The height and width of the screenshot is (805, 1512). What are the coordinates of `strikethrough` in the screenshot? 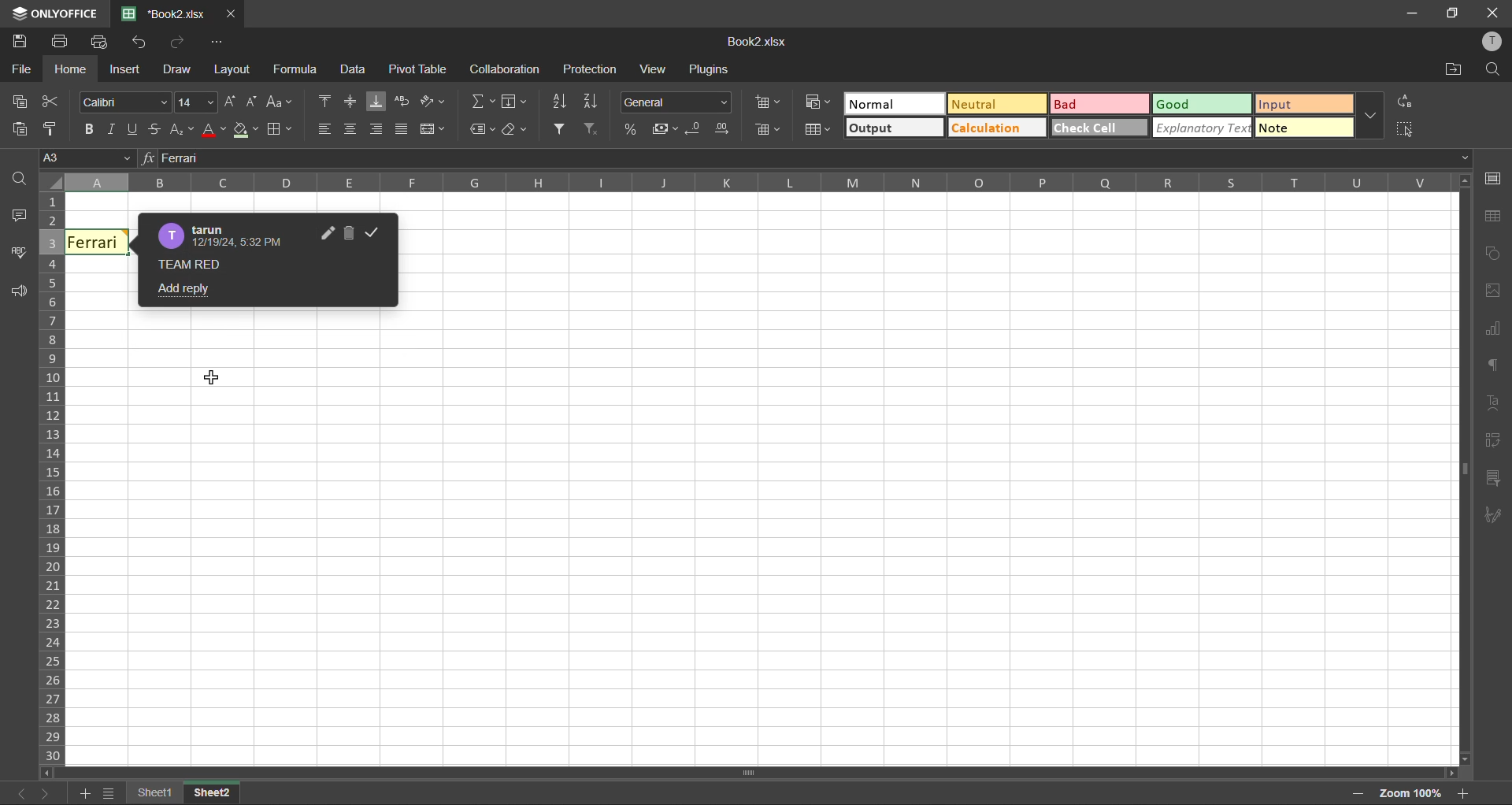 It's located at (158, 129).